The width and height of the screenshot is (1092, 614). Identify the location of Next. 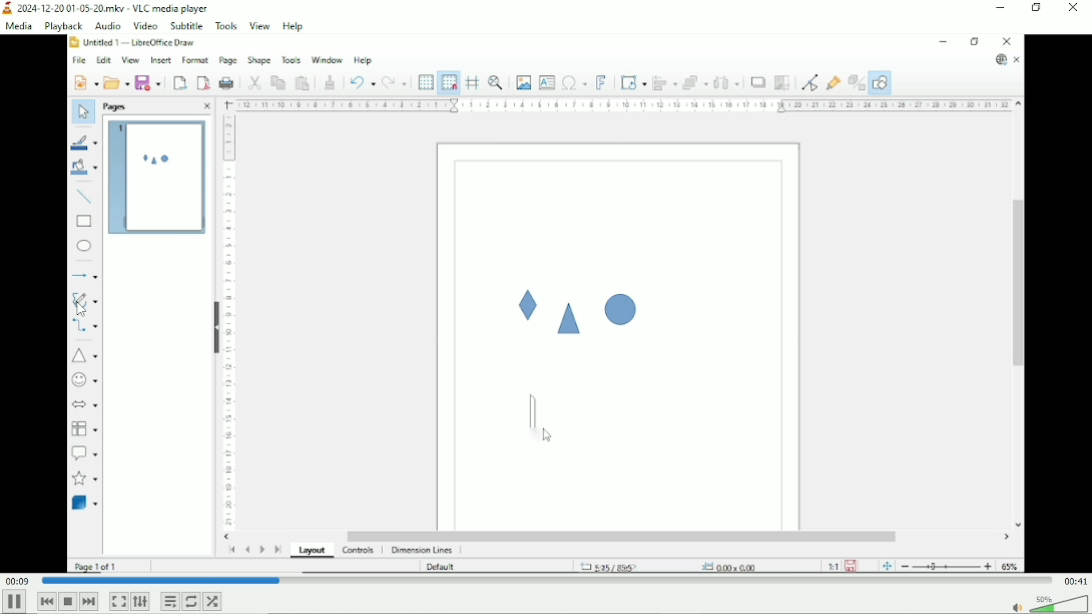
(89, 602).